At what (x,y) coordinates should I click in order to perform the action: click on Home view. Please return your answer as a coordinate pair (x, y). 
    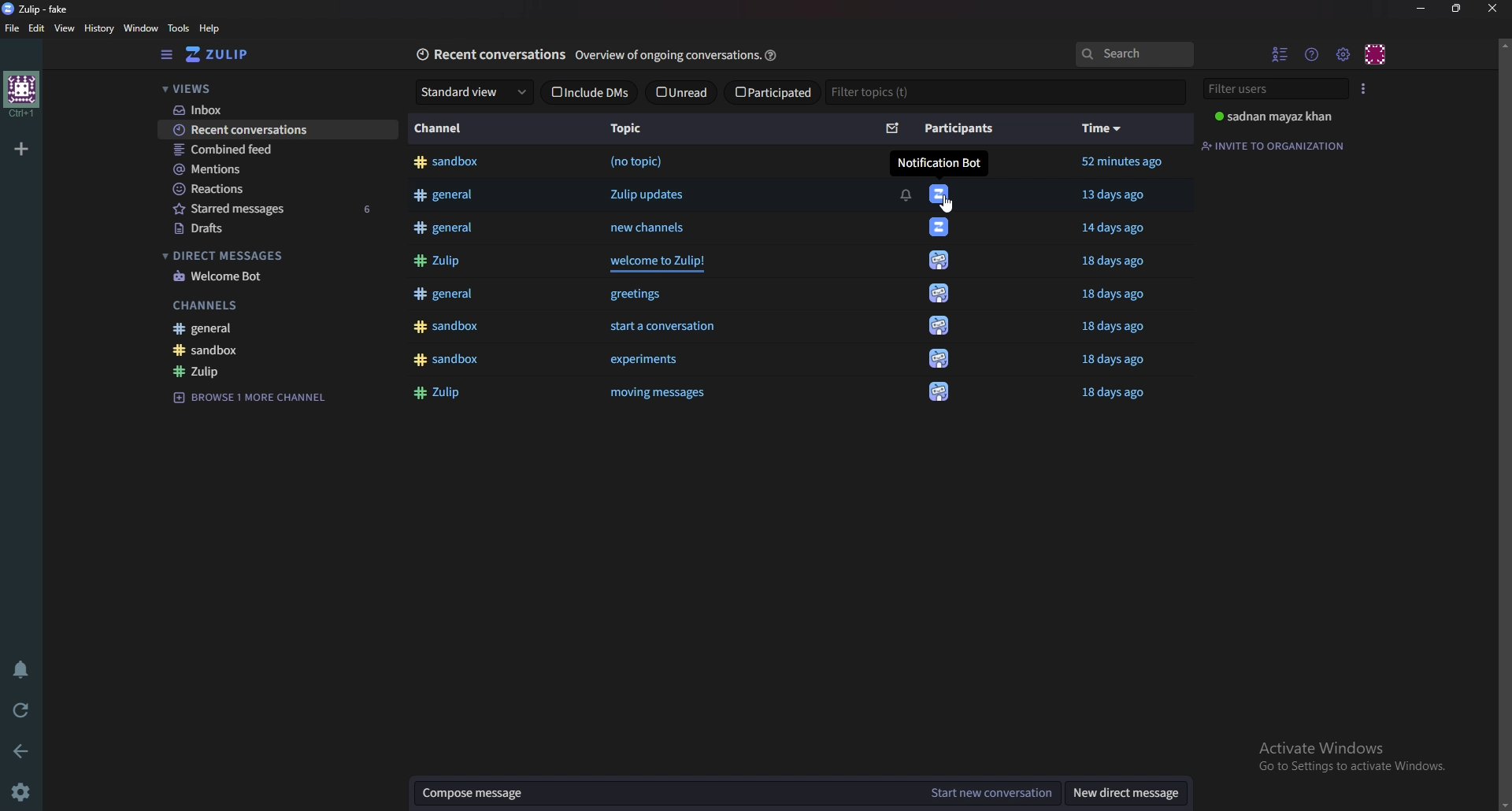
    Looking at the image, I should click on (232, 54).